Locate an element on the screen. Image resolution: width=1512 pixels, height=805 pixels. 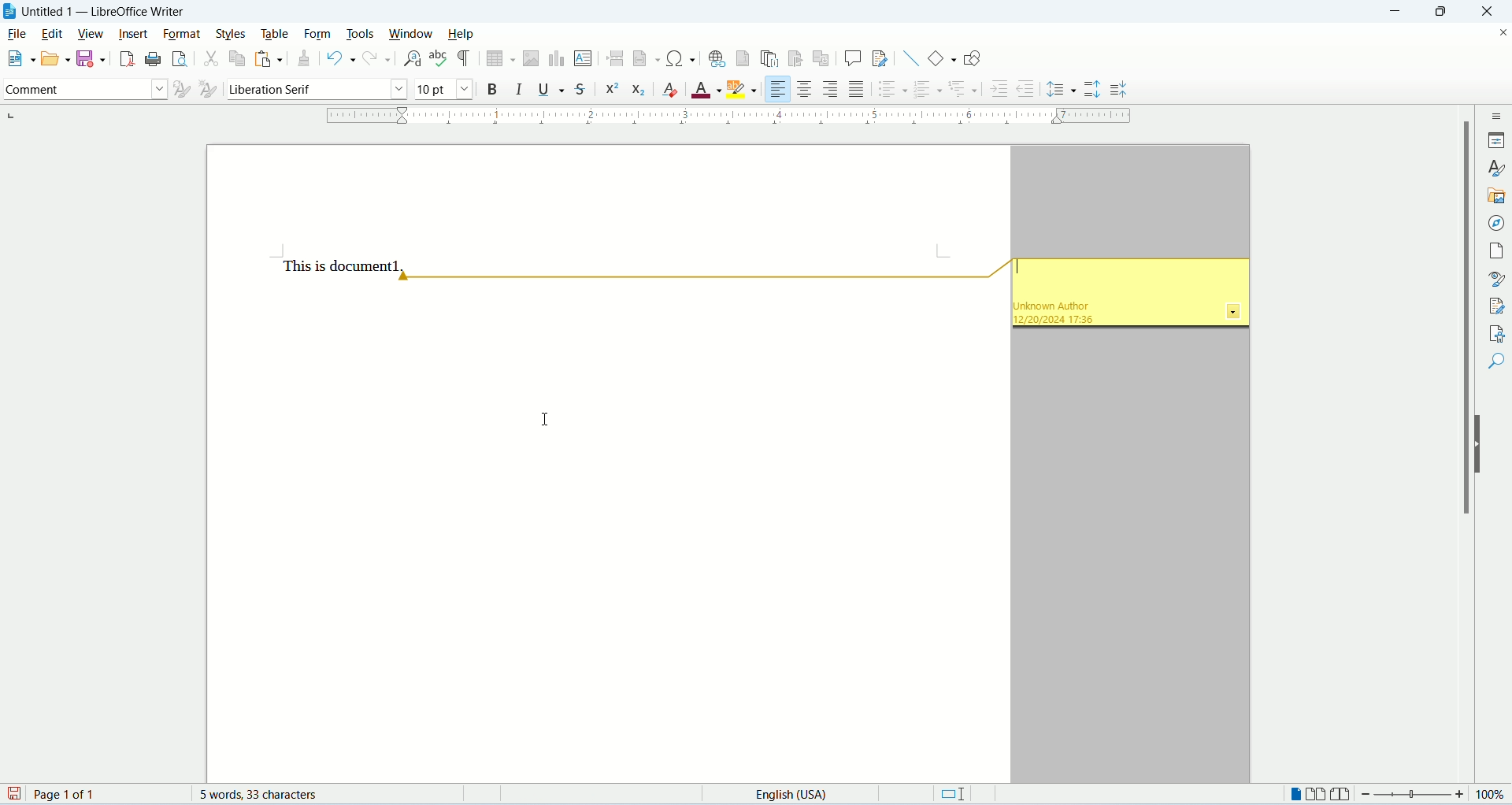
manage changes is located at coordinates (1494, 306).